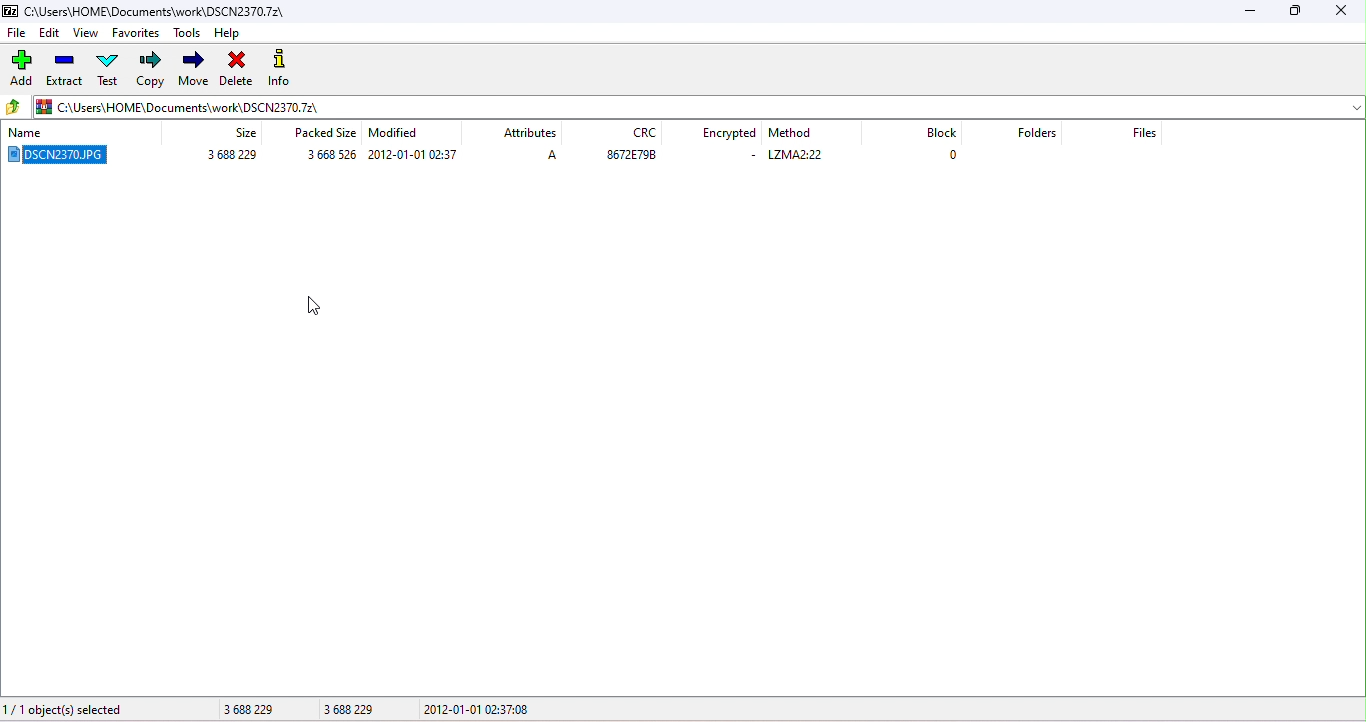 The width and height of the screenshot is (1366, 722). What do you see at coordinates (65, 72) in the screenshot?
I see `extract` at bounding box center [65, 72].